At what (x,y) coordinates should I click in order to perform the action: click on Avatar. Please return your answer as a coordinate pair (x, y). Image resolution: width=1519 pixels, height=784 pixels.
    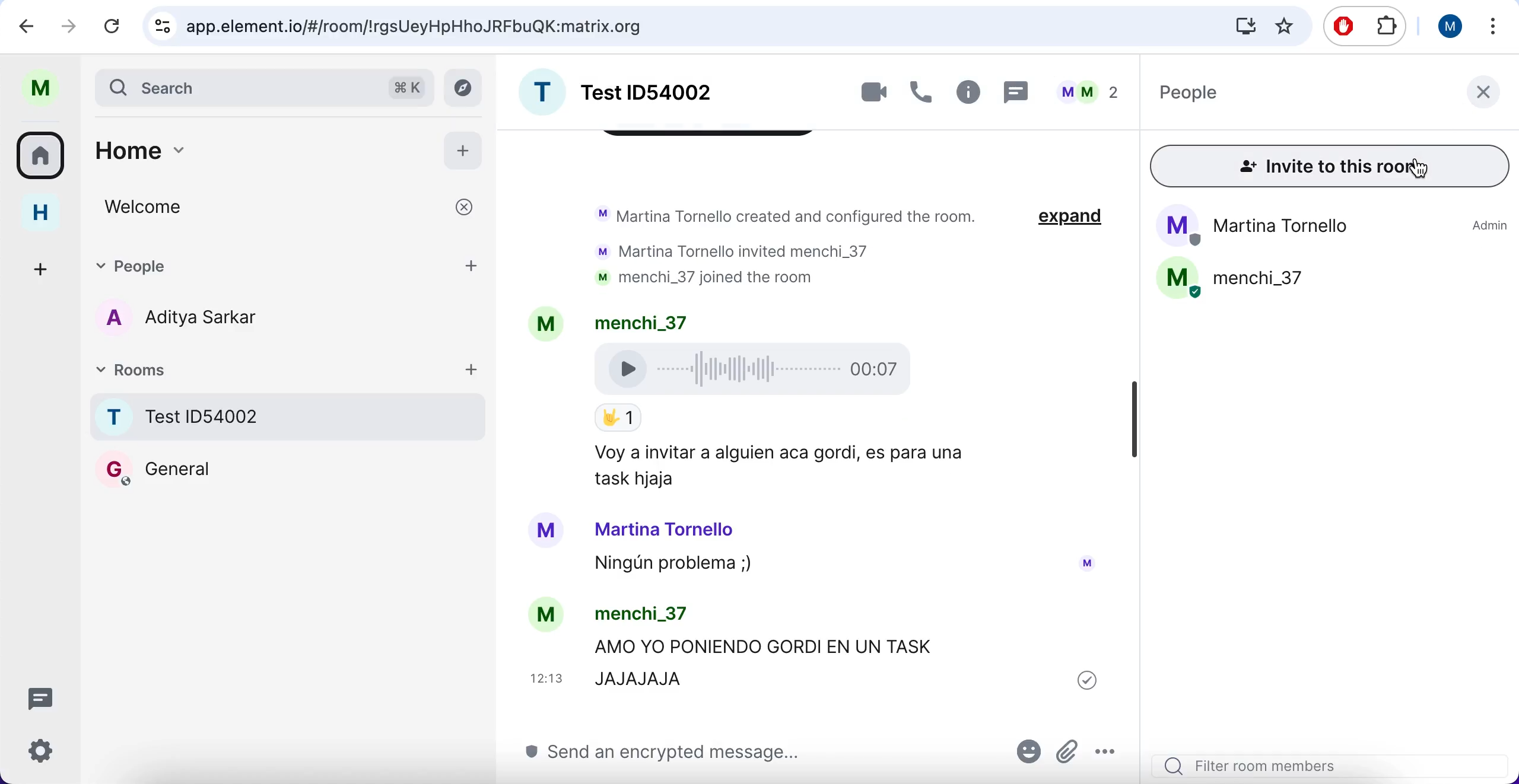
    Looking at the image, I should click on (546, 534).